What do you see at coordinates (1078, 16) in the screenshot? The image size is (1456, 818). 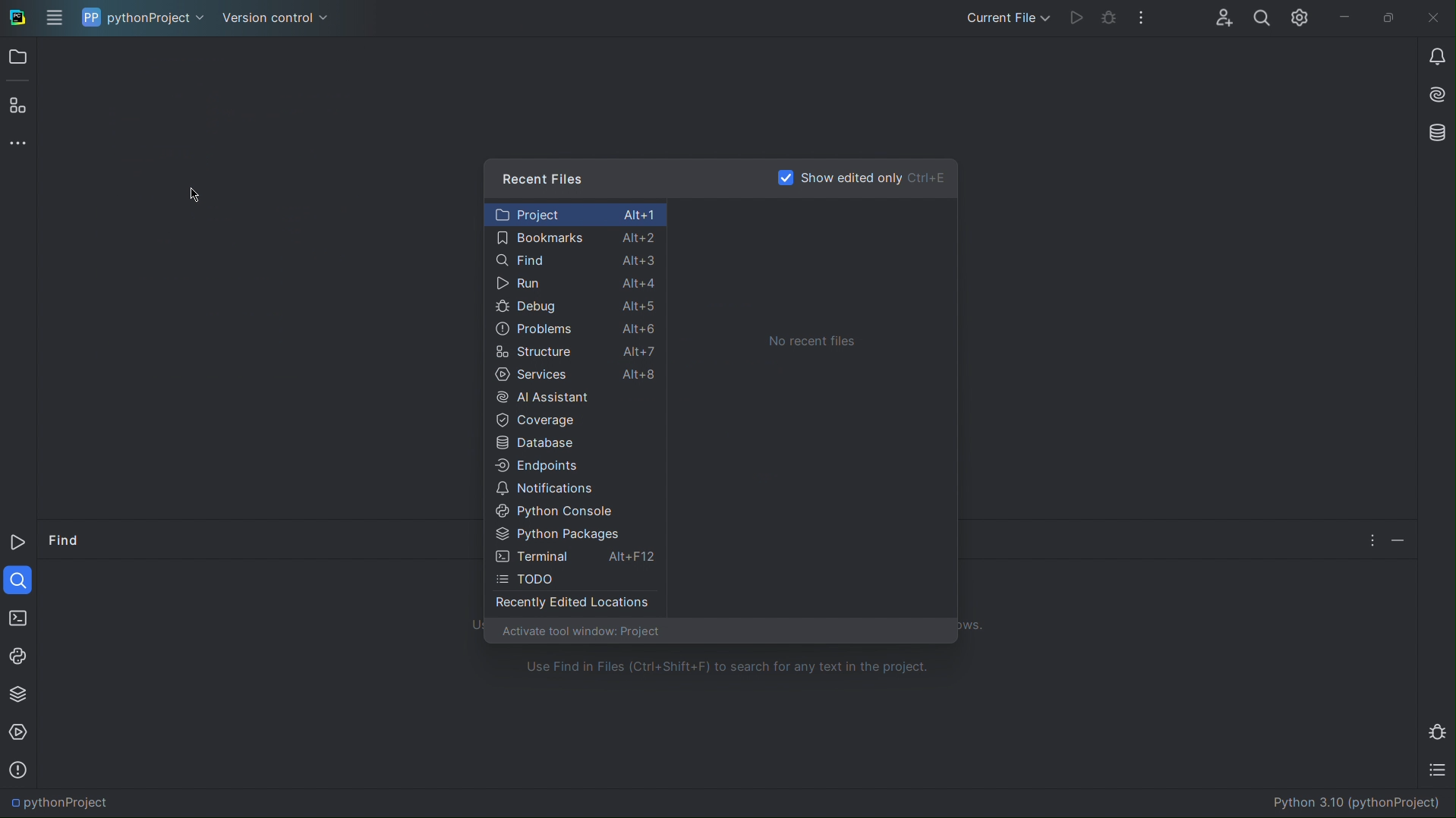 I see `Run` at bounding box center [1078, 16].